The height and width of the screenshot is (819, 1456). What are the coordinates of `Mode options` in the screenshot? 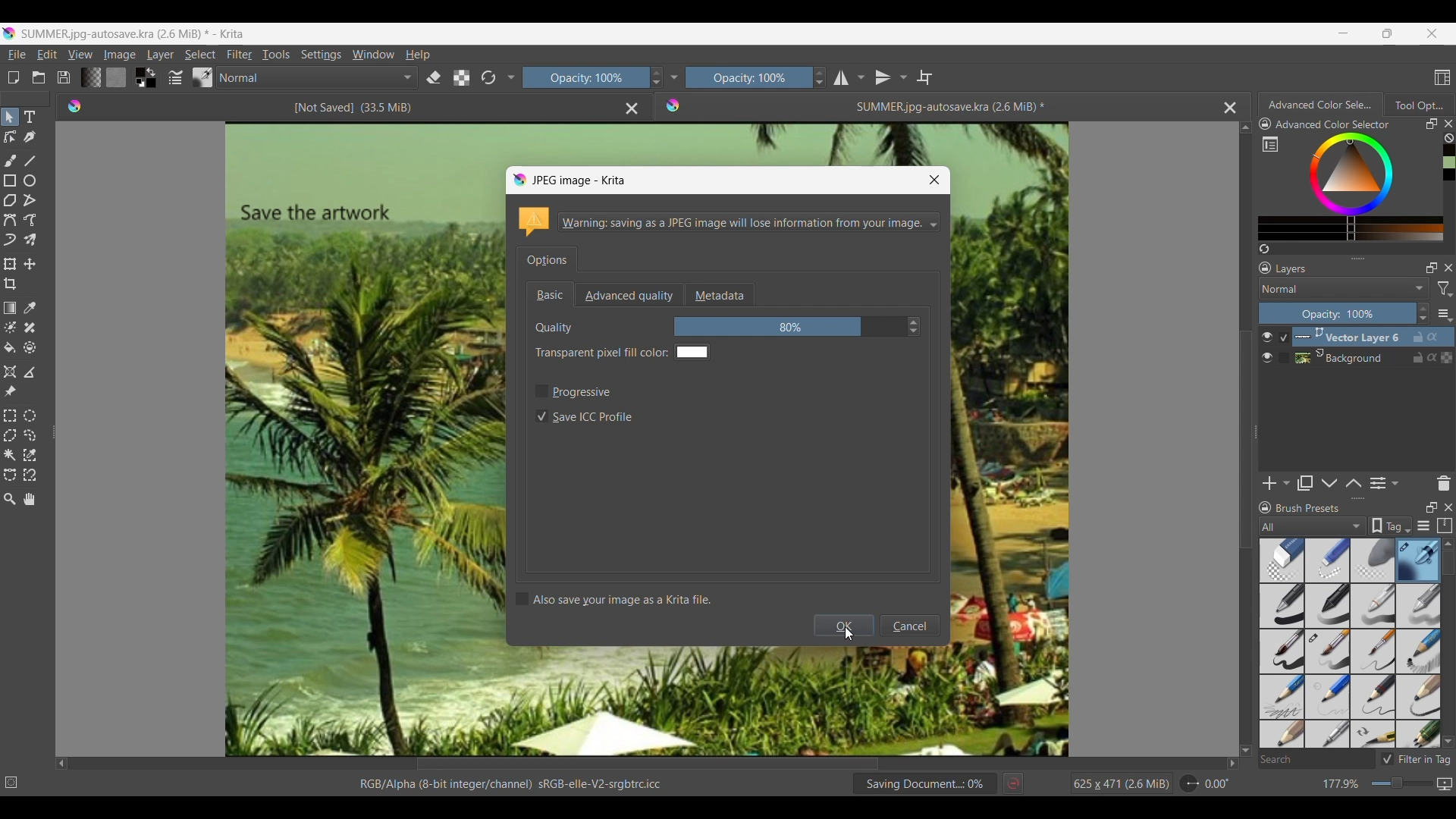 It's located at (318, 77).